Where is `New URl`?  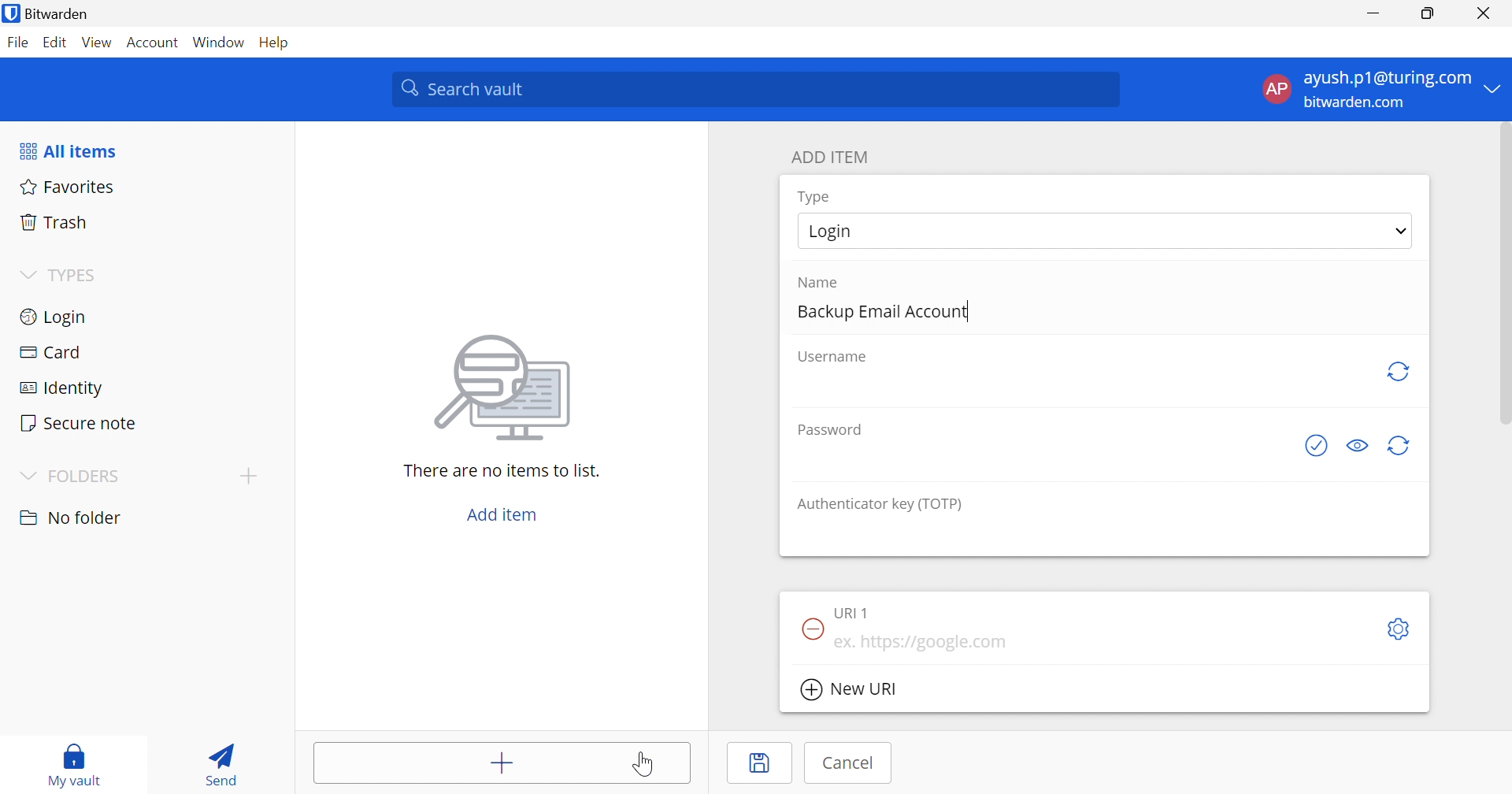 New URl is located at coordinates (849, 690).